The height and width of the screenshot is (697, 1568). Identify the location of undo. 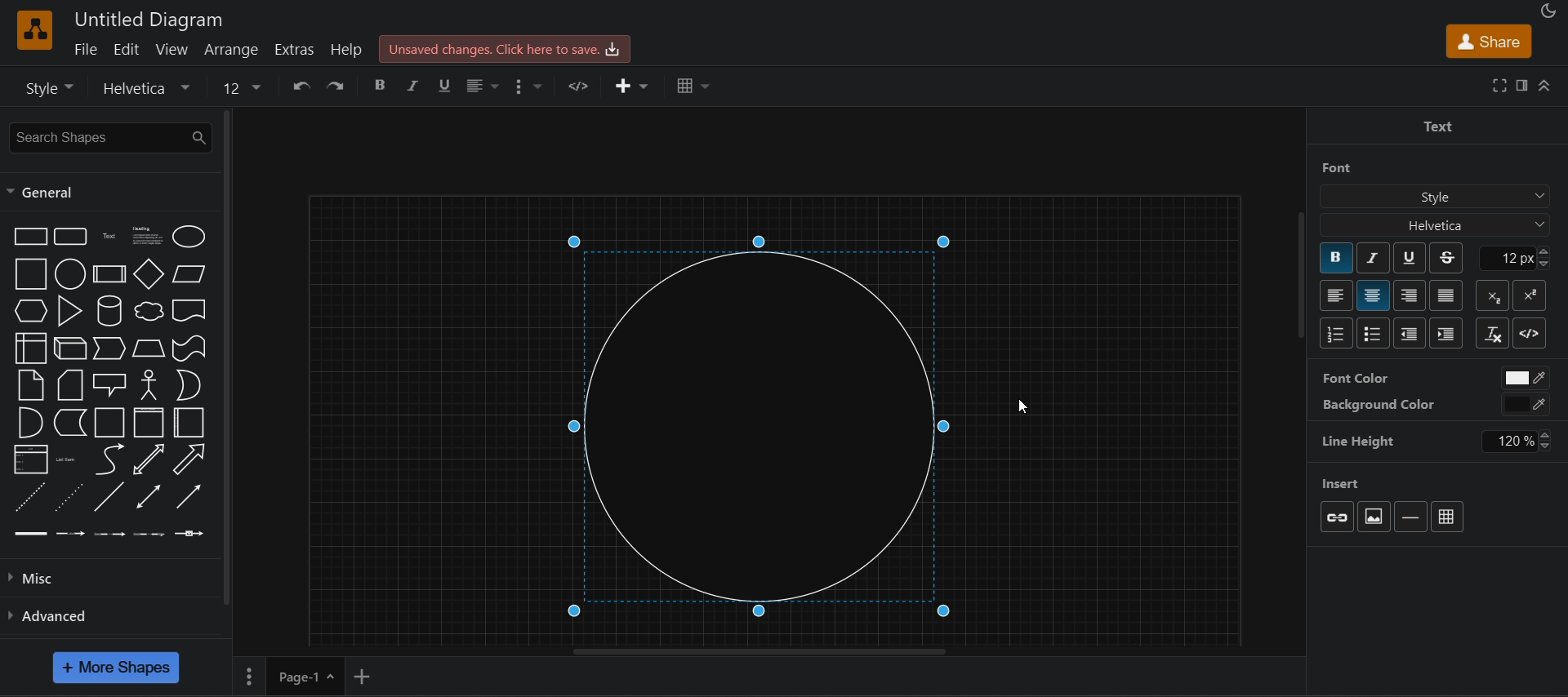
(301, 87).